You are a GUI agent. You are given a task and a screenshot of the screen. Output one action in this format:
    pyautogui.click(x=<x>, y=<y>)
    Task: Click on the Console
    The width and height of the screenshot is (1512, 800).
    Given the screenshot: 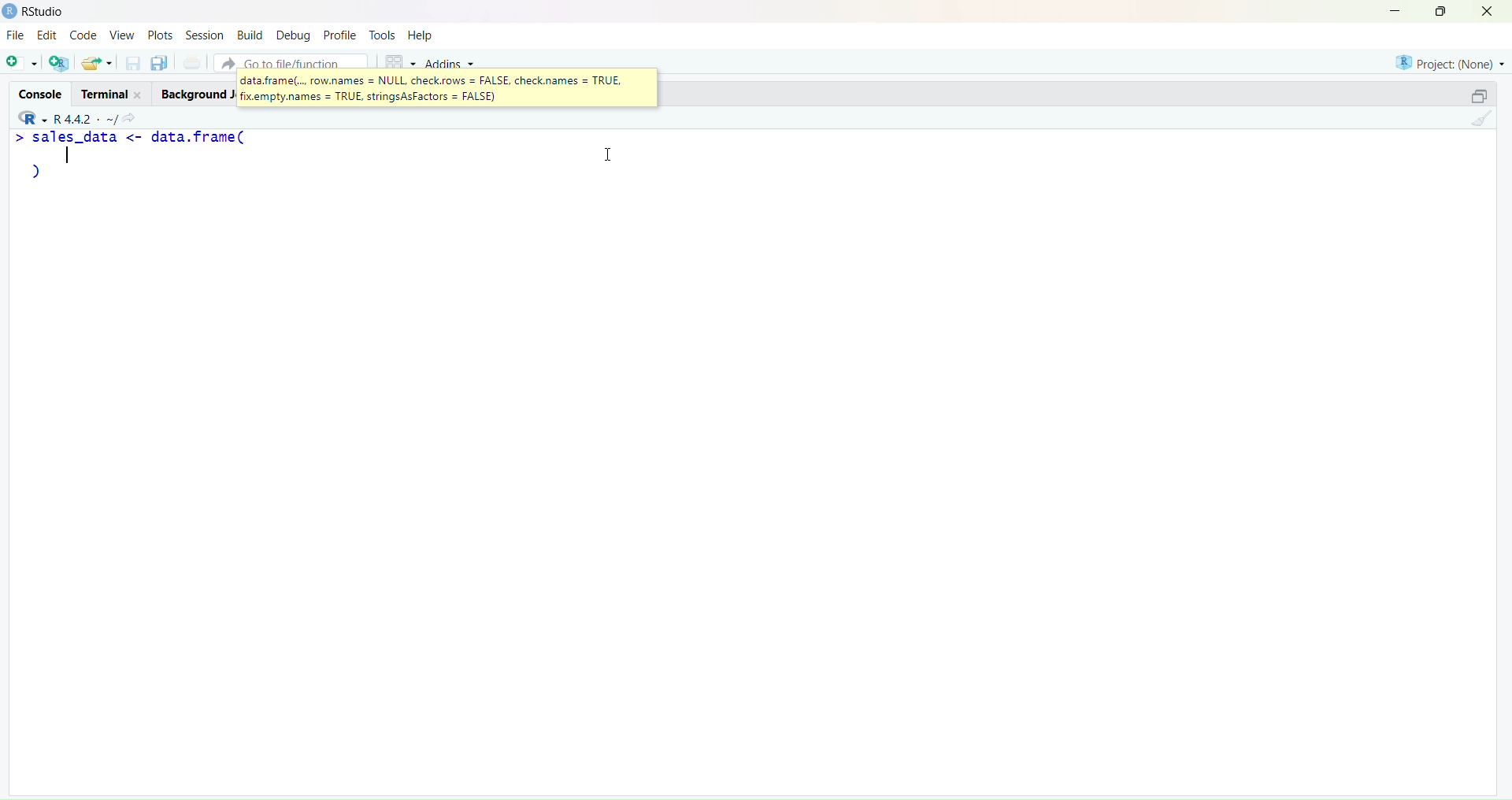 What is the action you would take?
    pyautogui.click(x=37, y=91)
    